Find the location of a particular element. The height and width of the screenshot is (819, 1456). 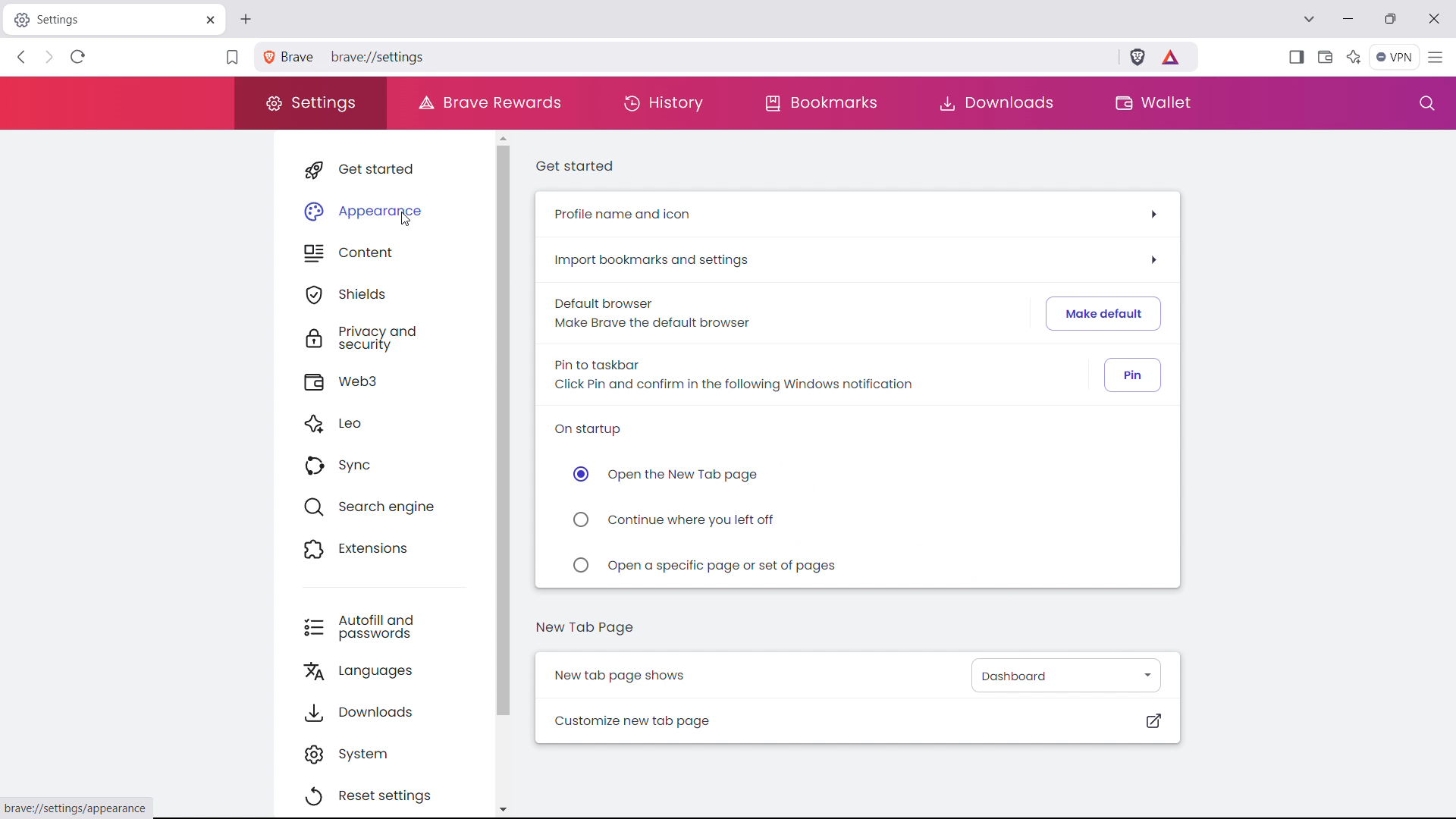

system is located at coordinates (381, 751).